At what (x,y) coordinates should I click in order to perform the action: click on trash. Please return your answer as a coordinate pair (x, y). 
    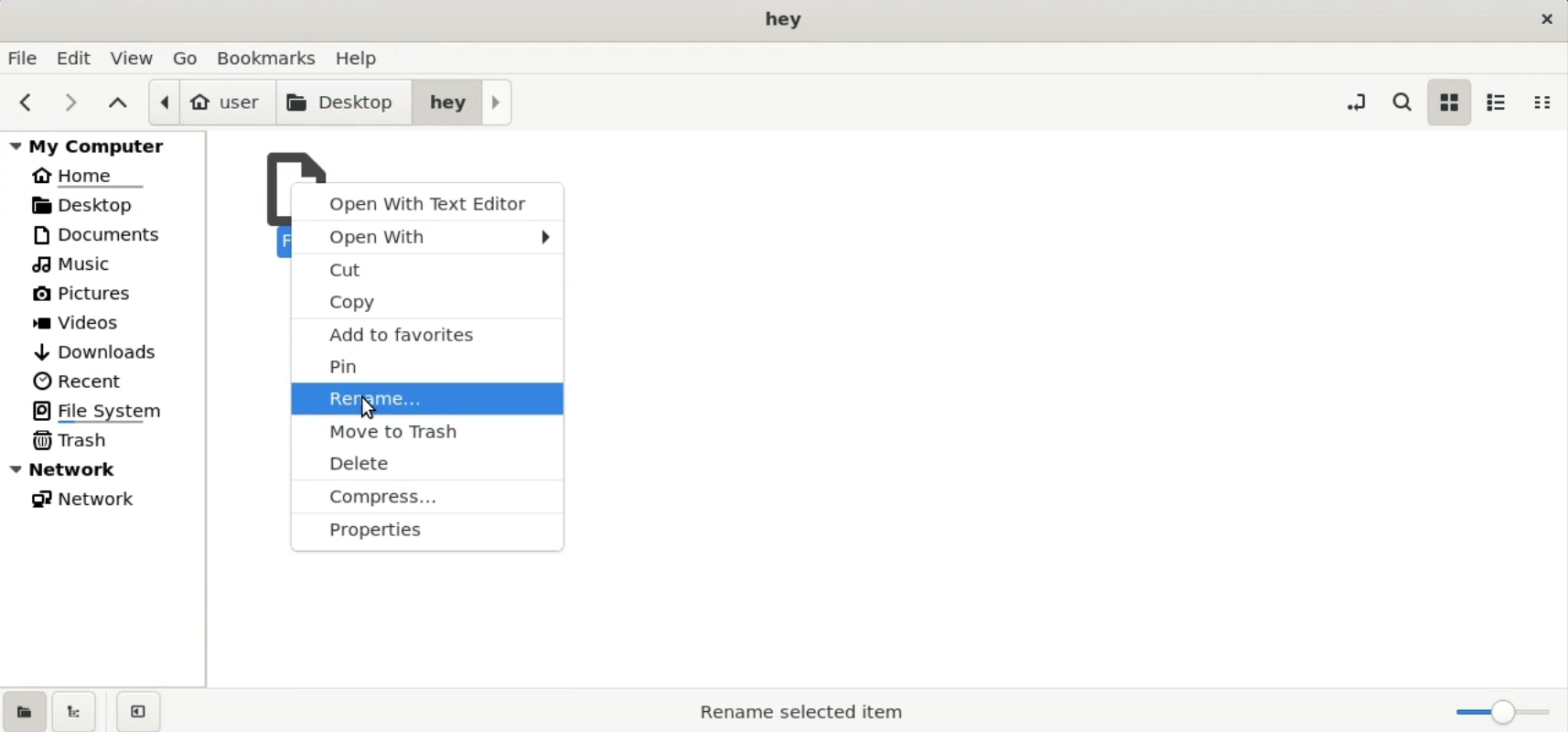
    Looking at the image, I should click on (75, 439).